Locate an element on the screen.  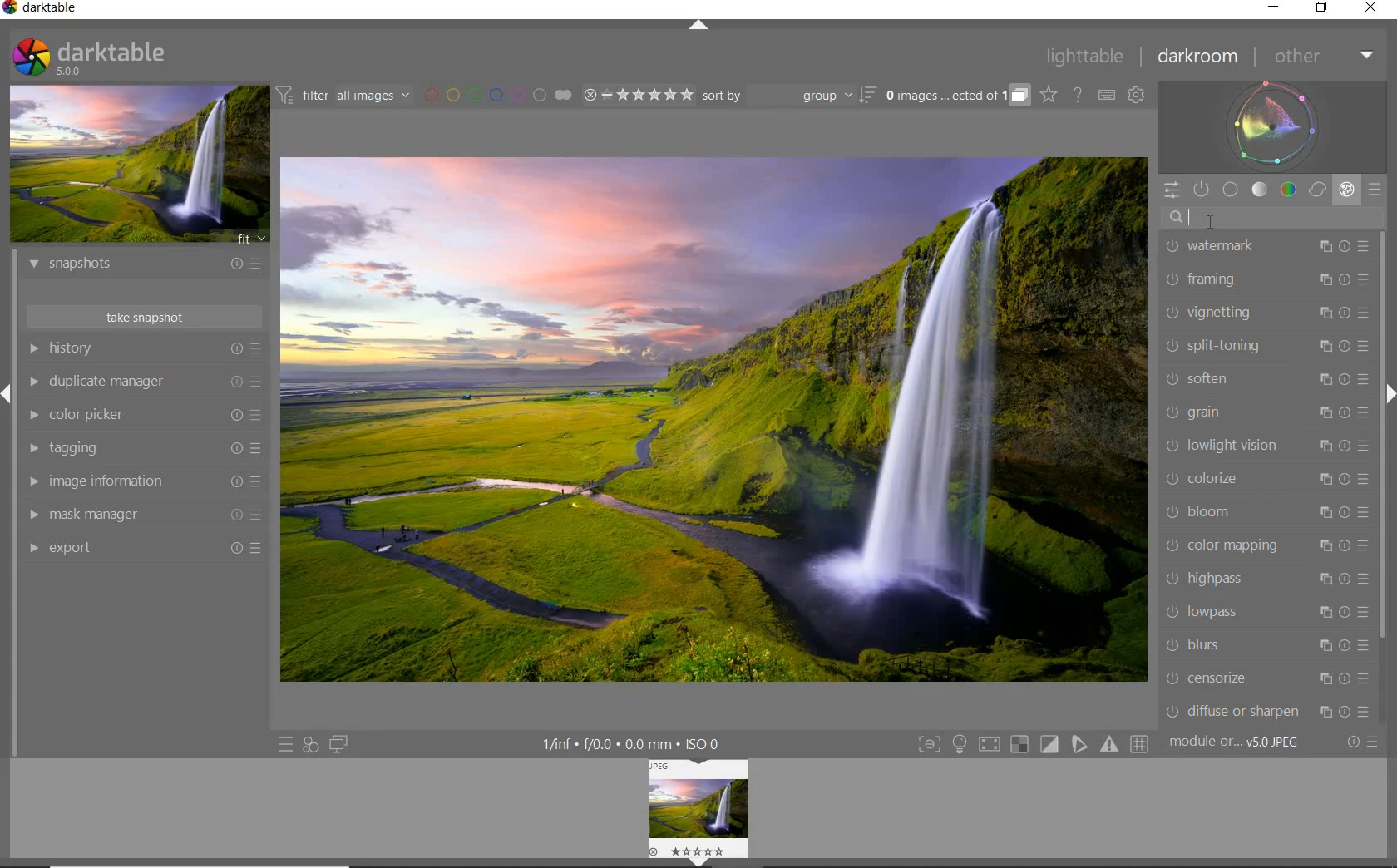
soften is located at coordinates (1267, 379).